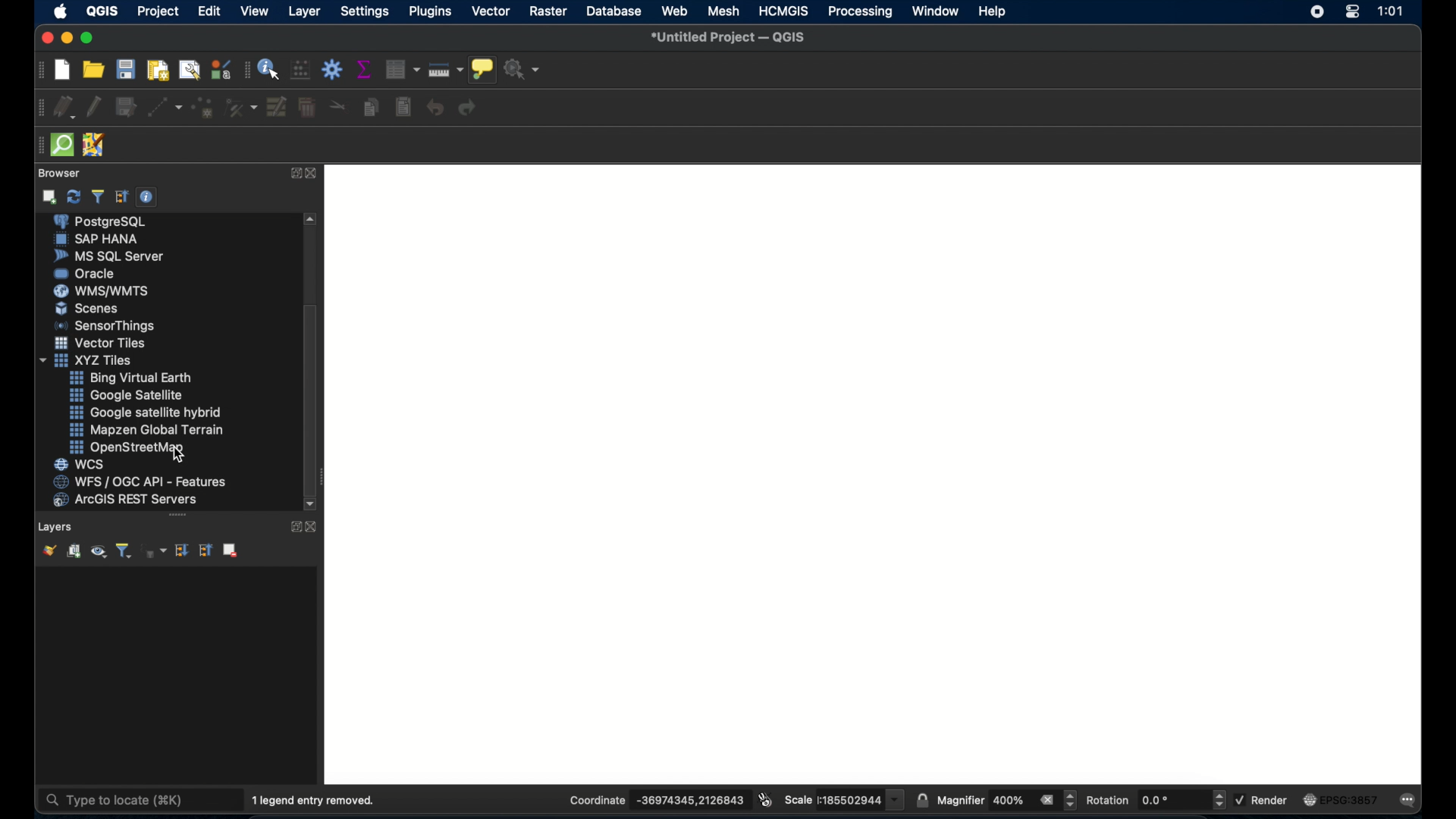  I want to click on toggle editing, so click(96, 108).